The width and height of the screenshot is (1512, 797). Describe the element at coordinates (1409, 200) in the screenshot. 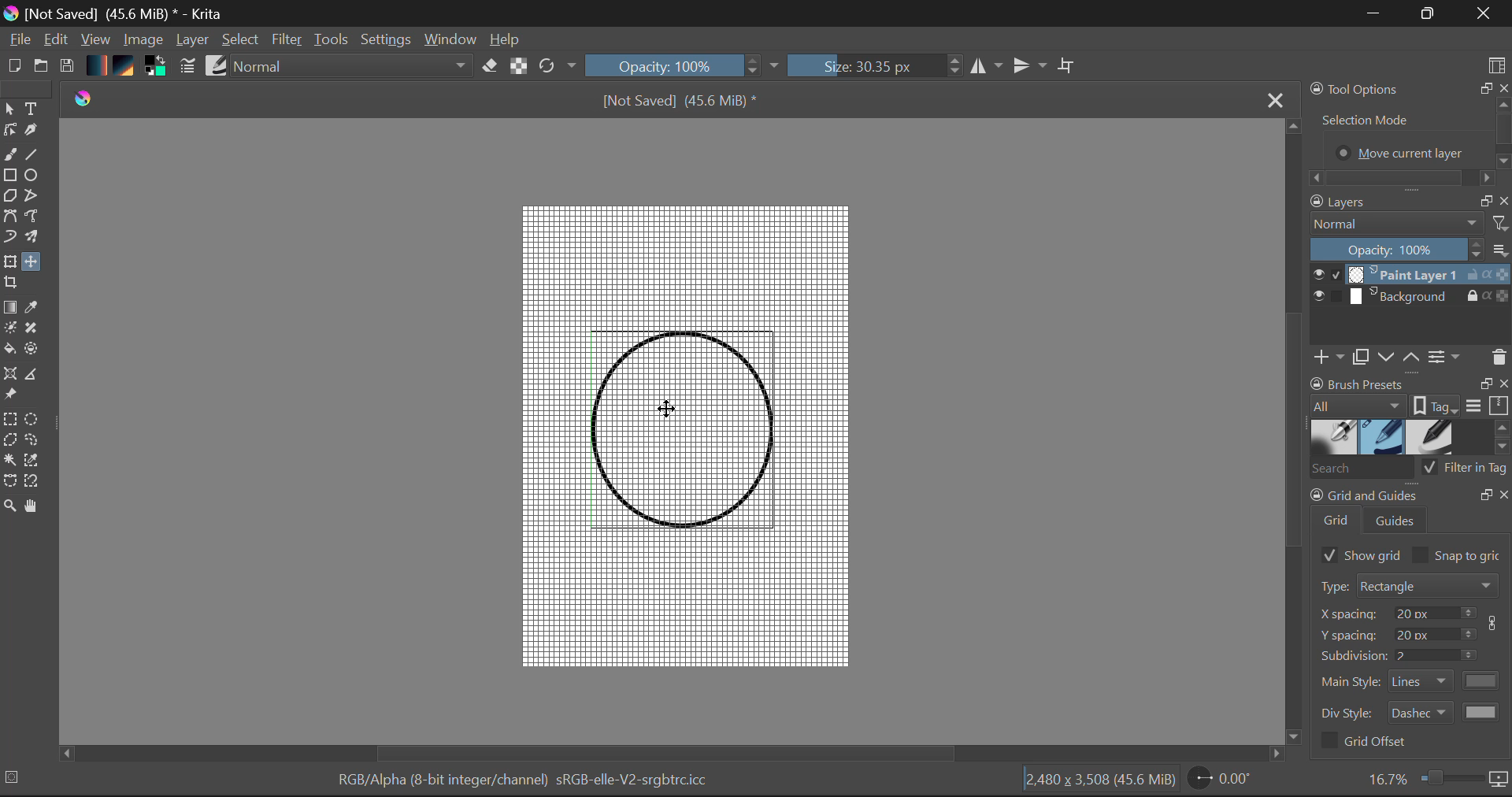

I see `Layers Docket Tab` at that location.